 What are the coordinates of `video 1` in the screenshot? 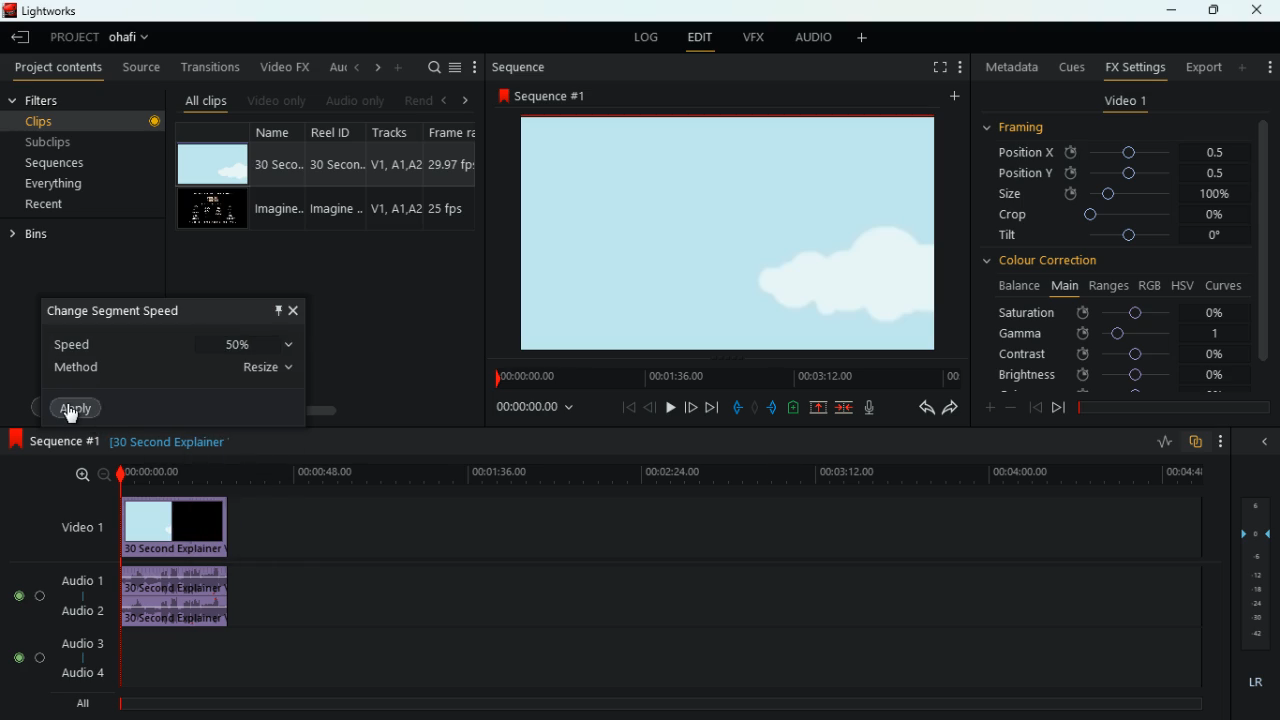 It's located at (84, 526).